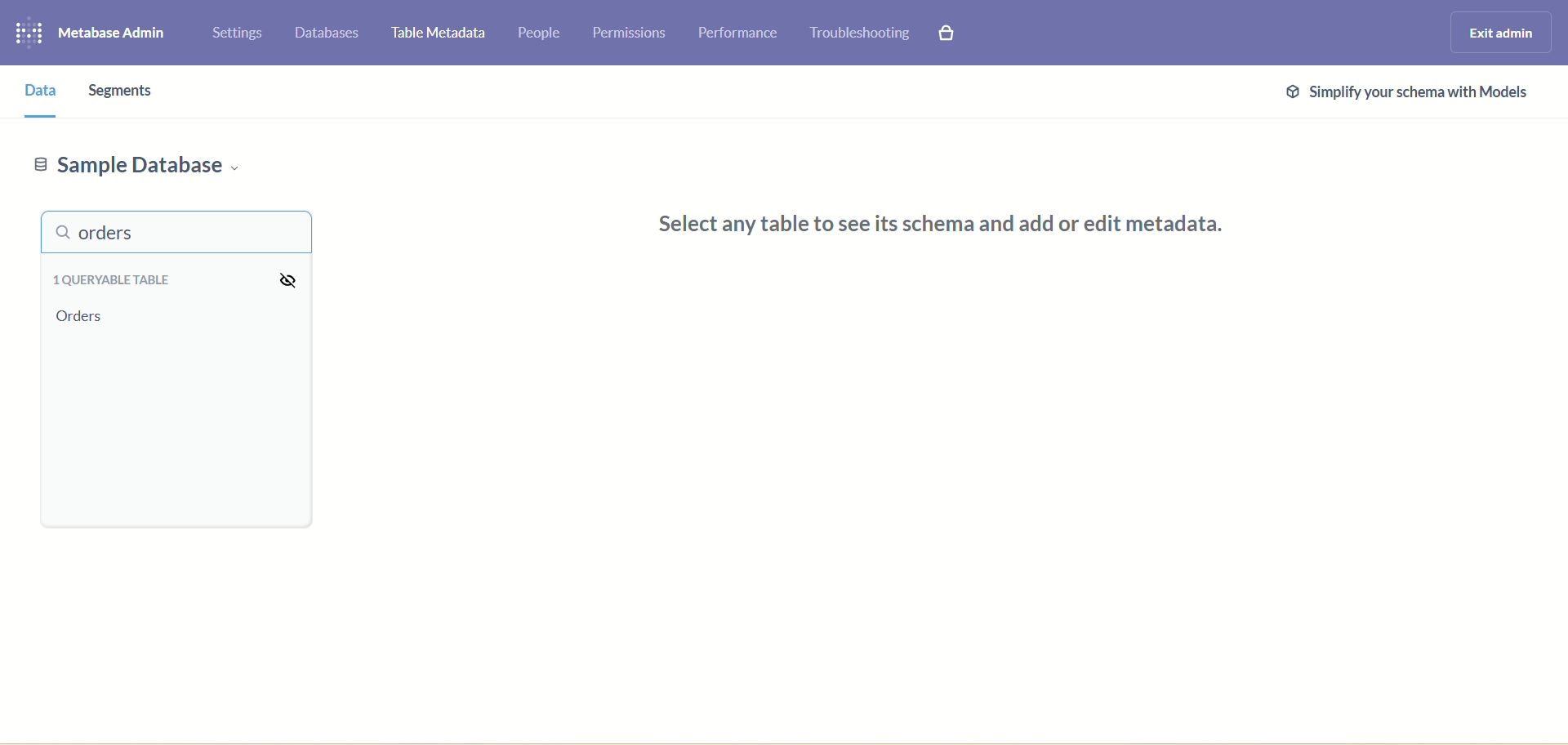 The height and width of the screenshot is (745, 1568). What do you see at coordinates (116, 280) in the screenshot?
I see `queryable table` at bounding box center [116, 280].